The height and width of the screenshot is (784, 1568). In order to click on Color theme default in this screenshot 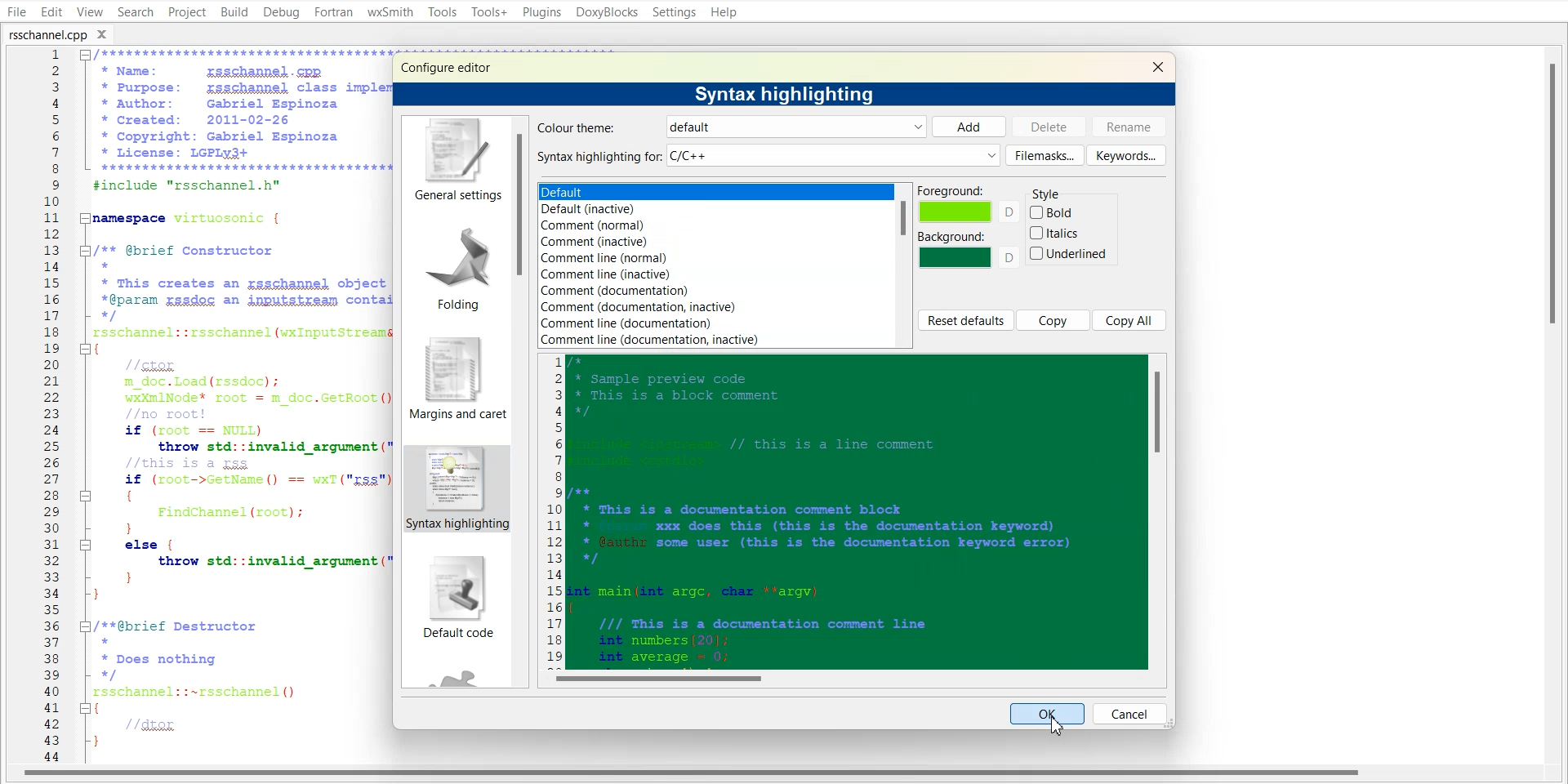, I will do `click(728, 127)`.